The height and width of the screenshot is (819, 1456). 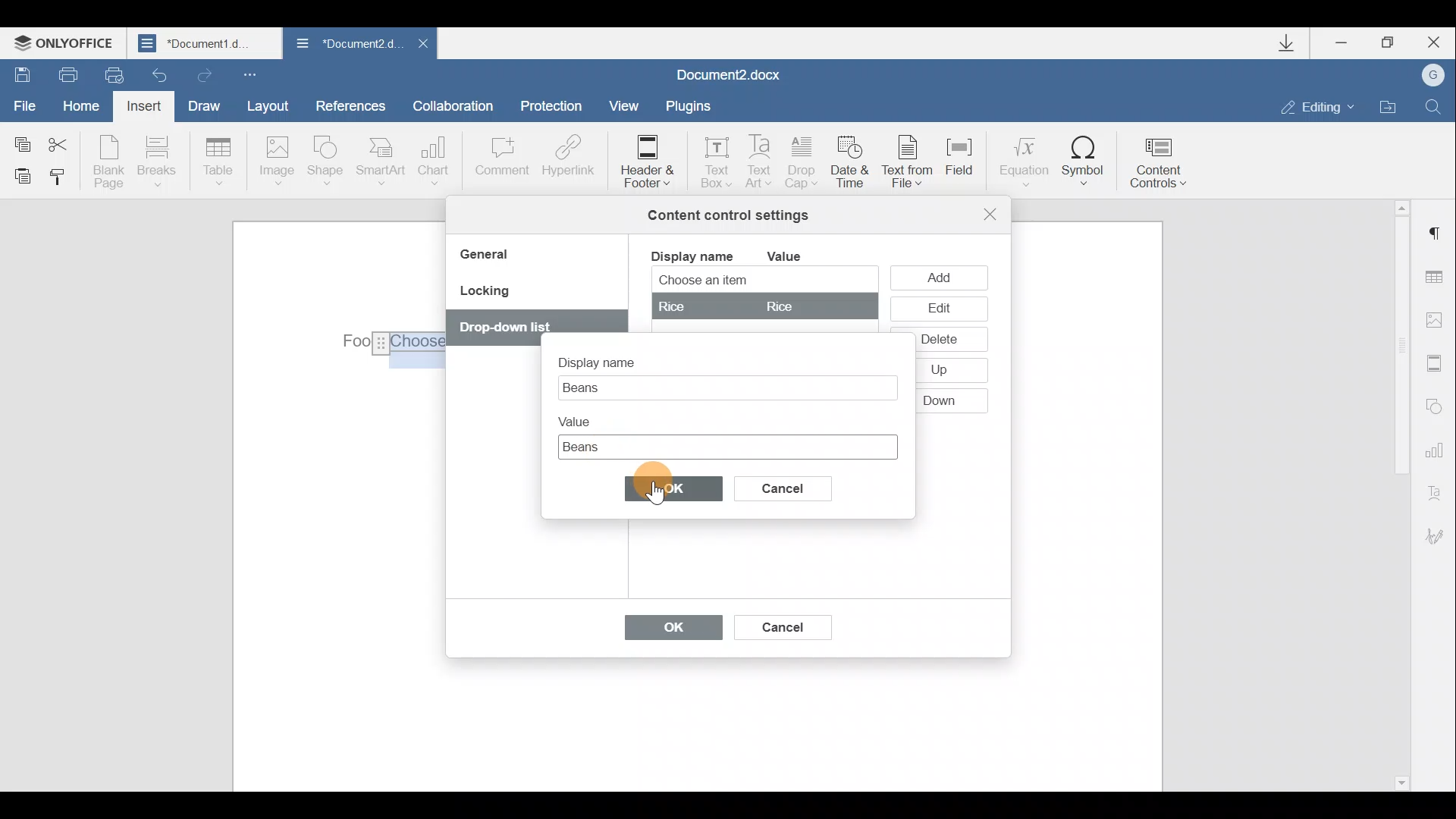 I want to click on Customize quick access toolbar, so click(x=253, y=74).